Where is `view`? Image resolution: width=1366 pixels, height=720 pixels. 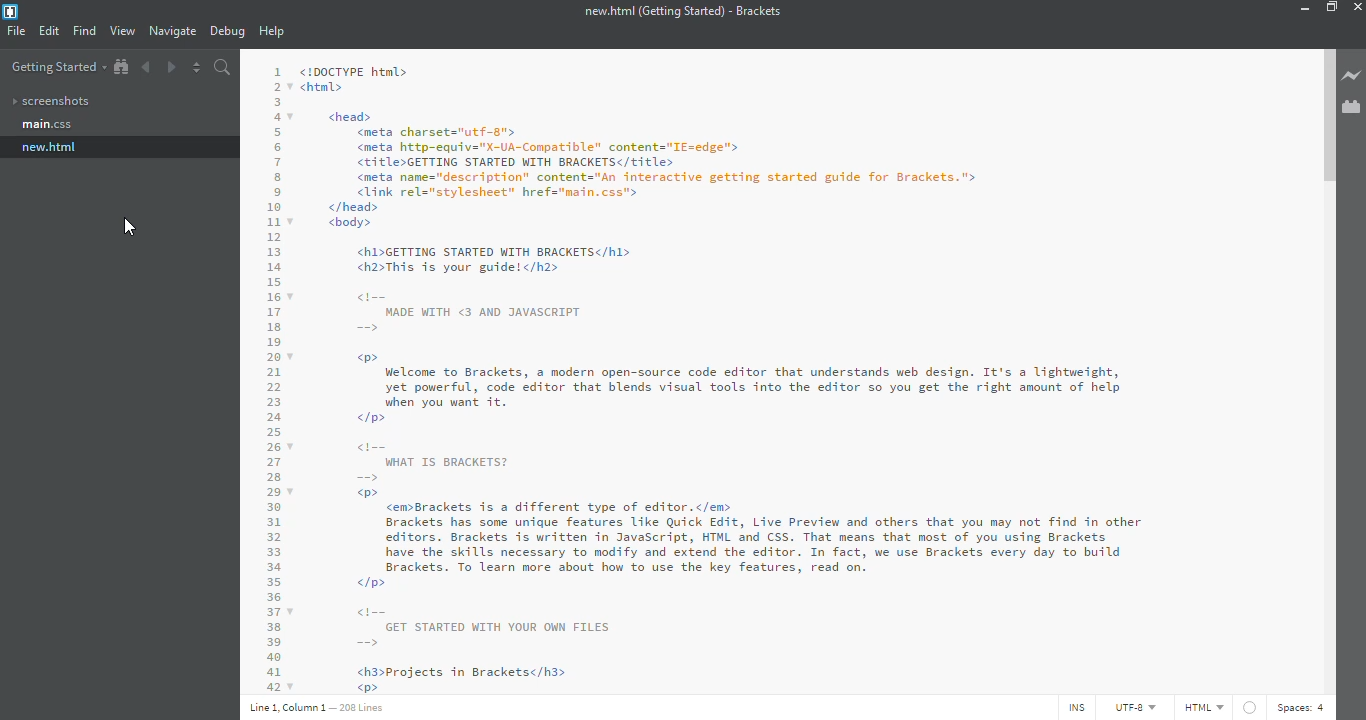 view is located at coordinates (122, 31).